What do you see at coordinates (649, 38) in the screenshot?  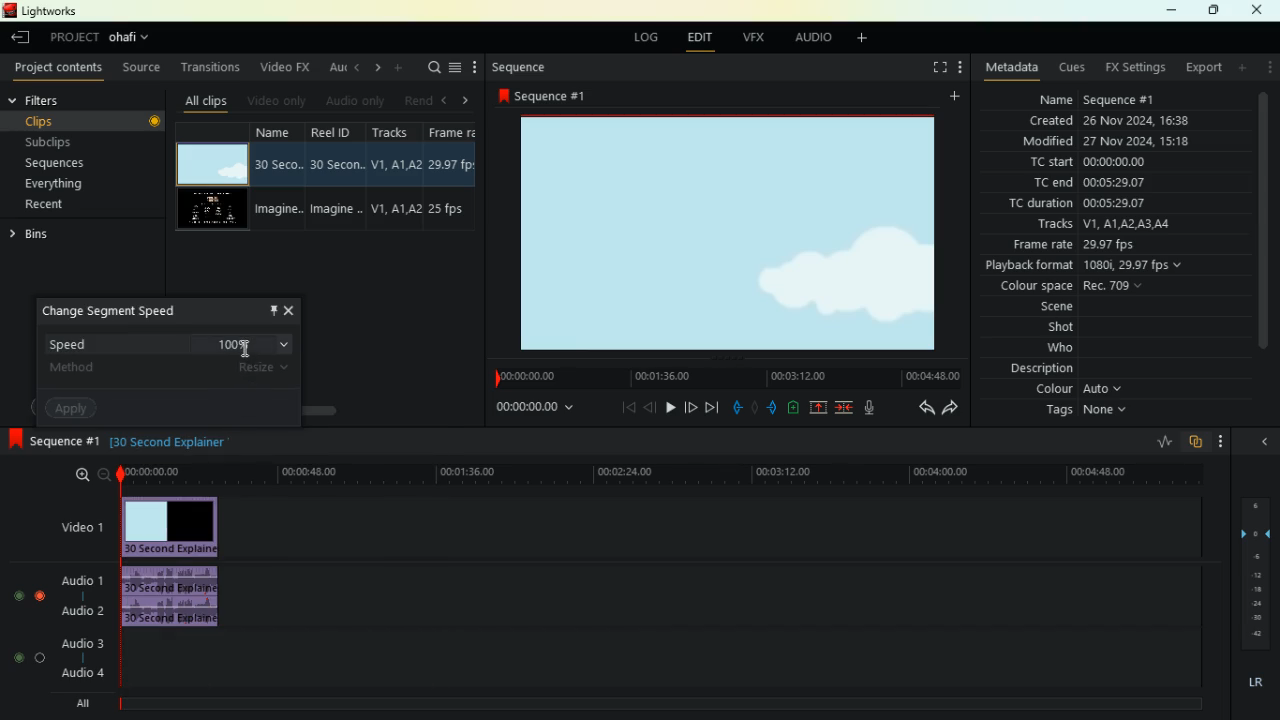 I see `log` at bounding box center [649, 38].